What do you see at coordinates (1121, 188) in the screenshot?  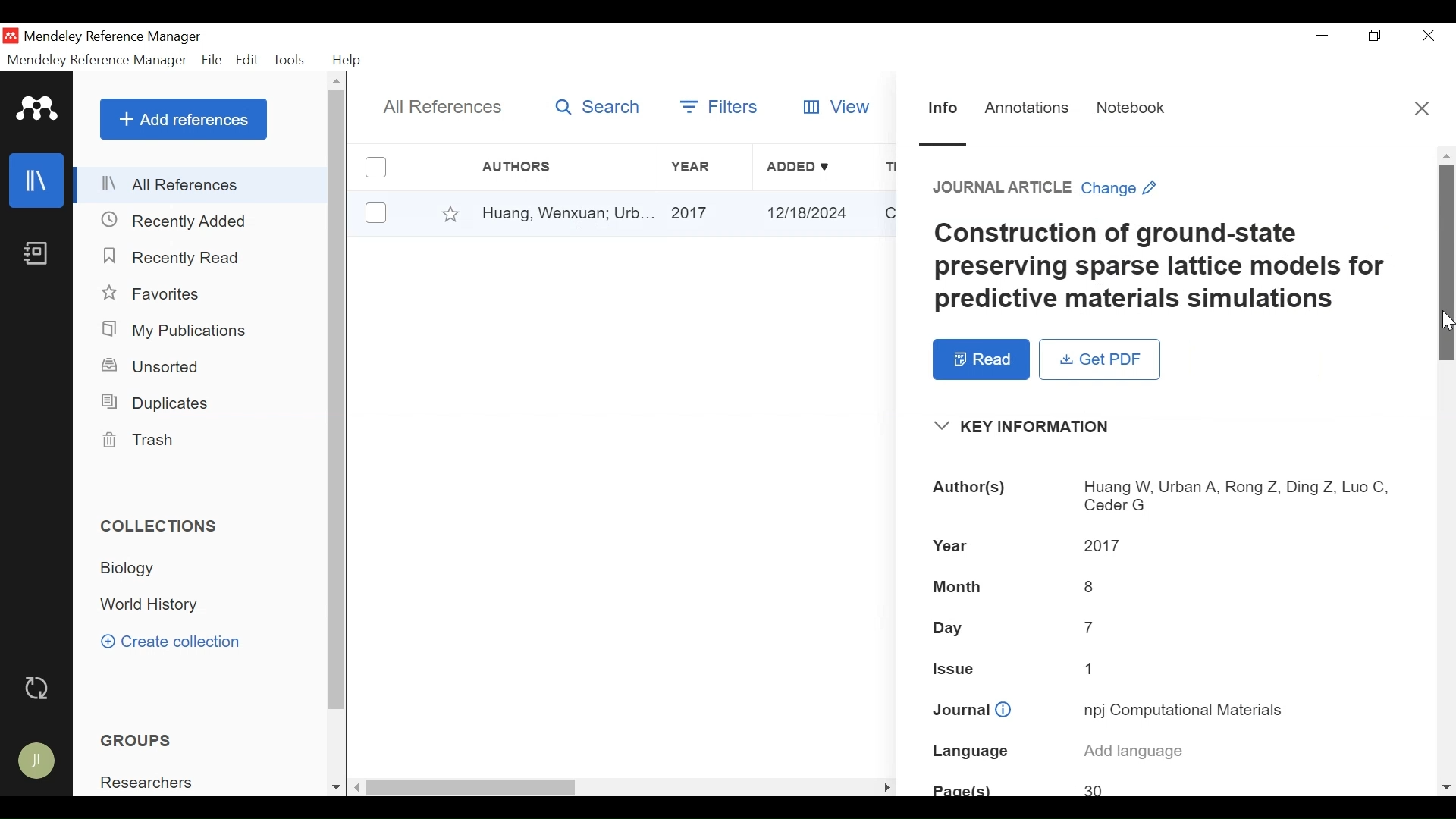 I see `Change` at bounding box center [1121, 188].